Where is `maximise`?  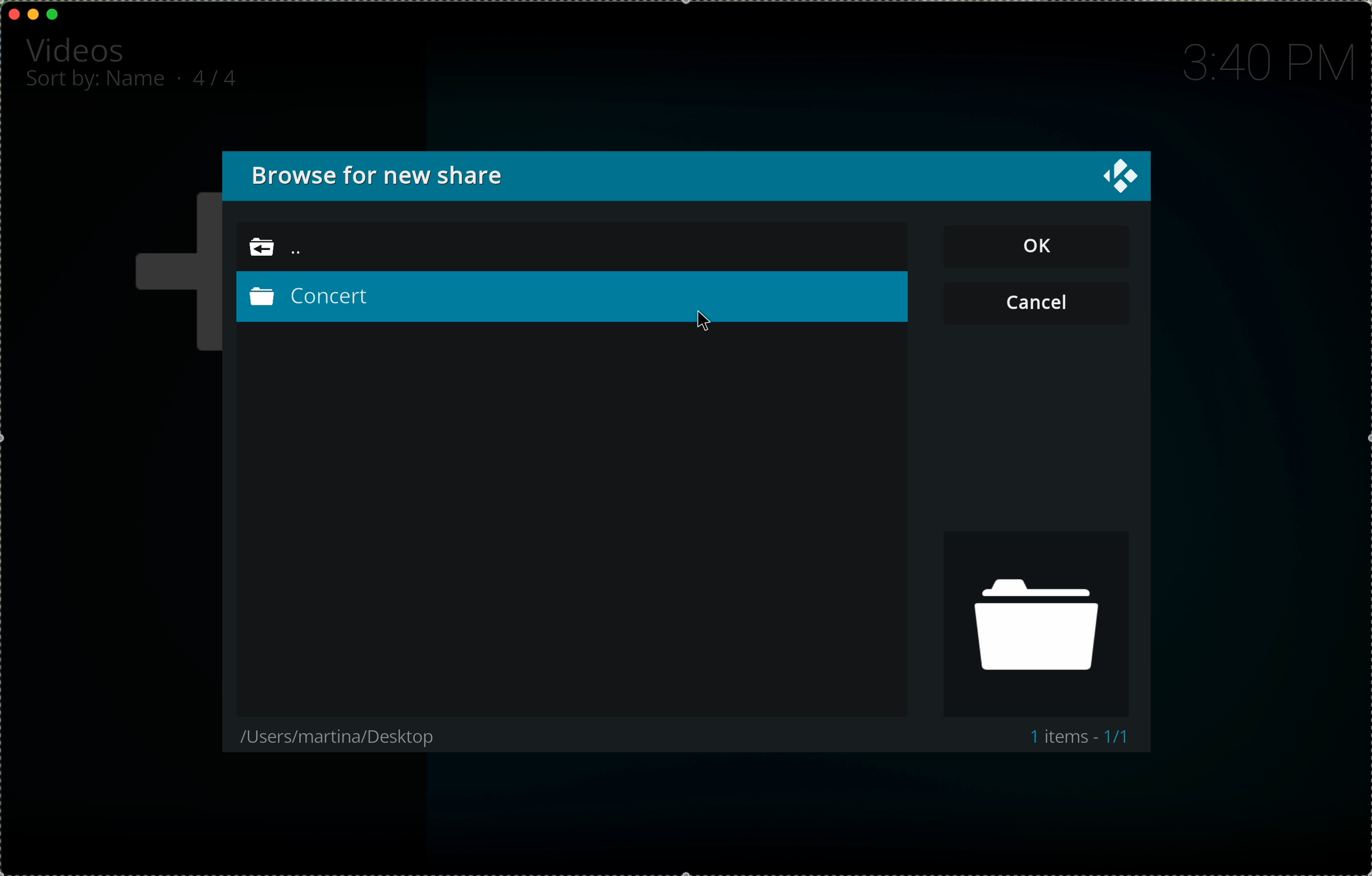 maximise is located at coordinates (54, 14).